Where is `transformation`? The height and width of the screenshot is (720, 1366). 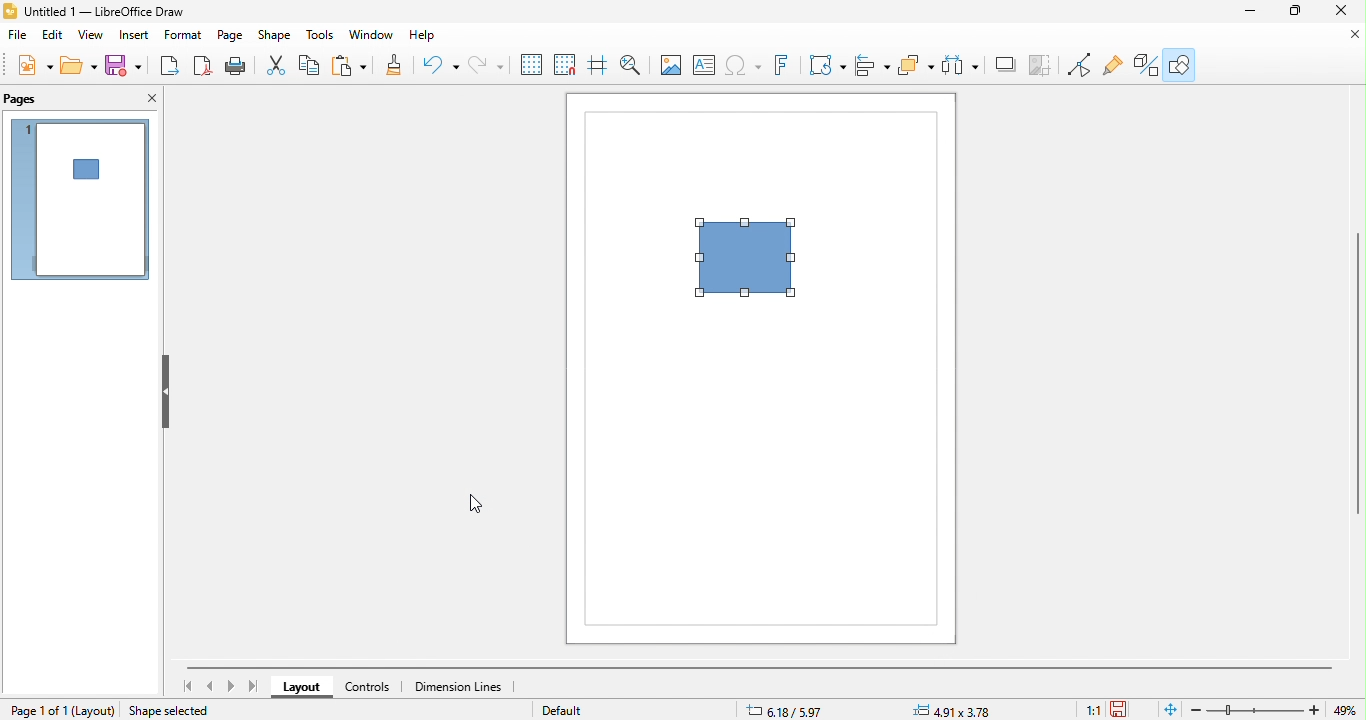 transformation is located at coordinates (827, 65).